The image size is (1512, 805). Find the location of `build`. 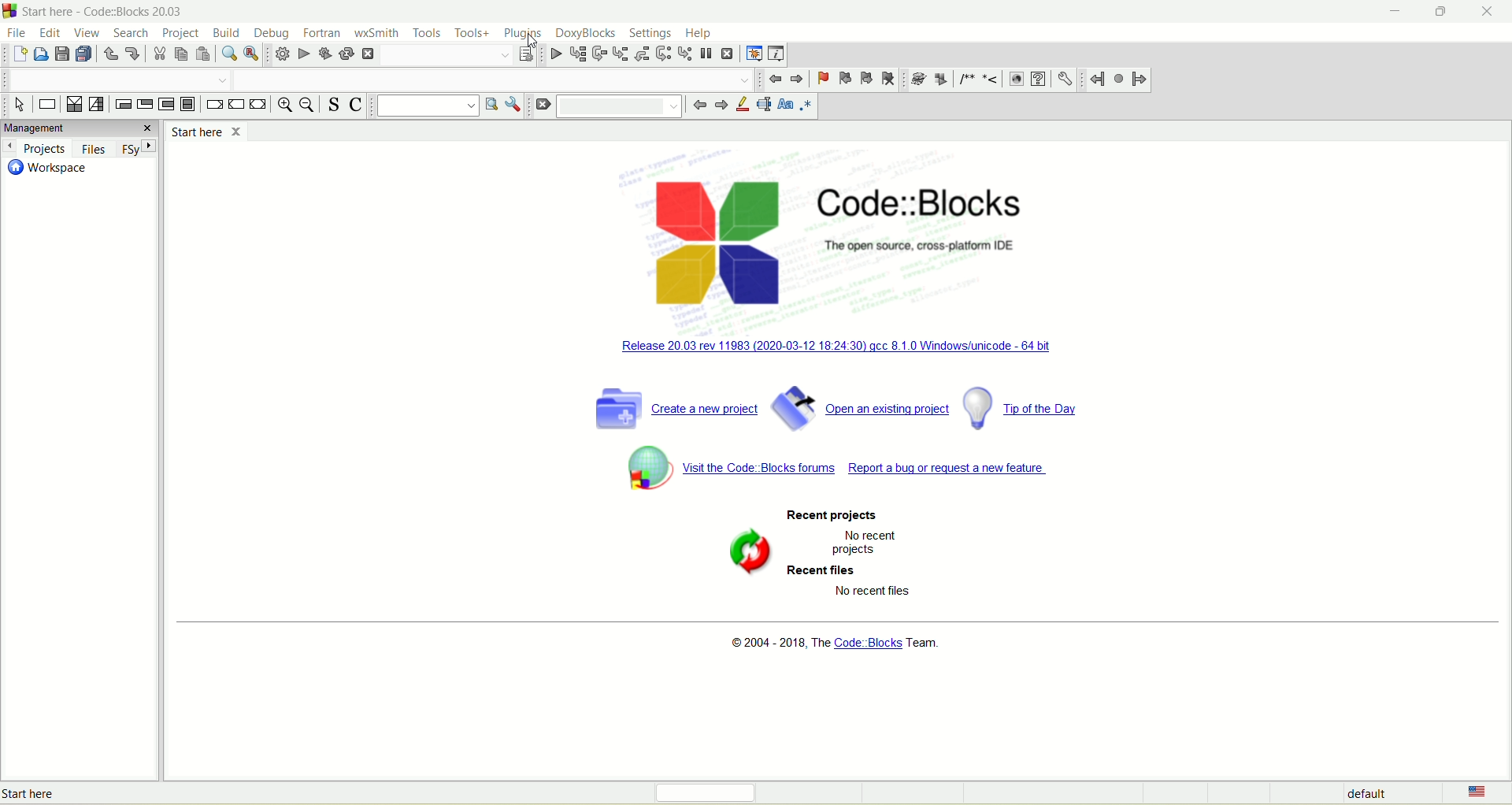

build is located at coordinates (225, 31).